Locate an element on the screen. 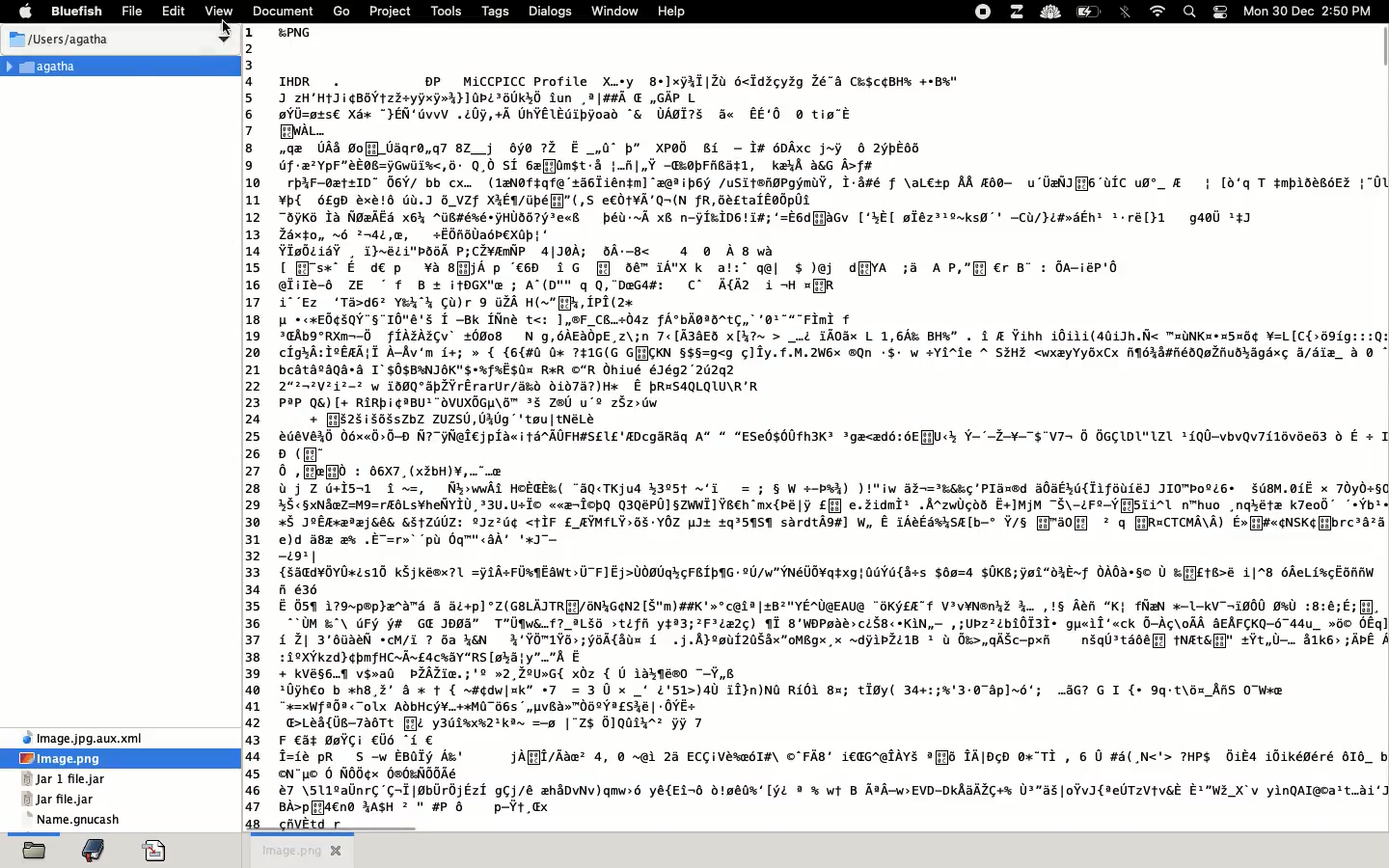  jar file jar is located at coordinates (64, 799).